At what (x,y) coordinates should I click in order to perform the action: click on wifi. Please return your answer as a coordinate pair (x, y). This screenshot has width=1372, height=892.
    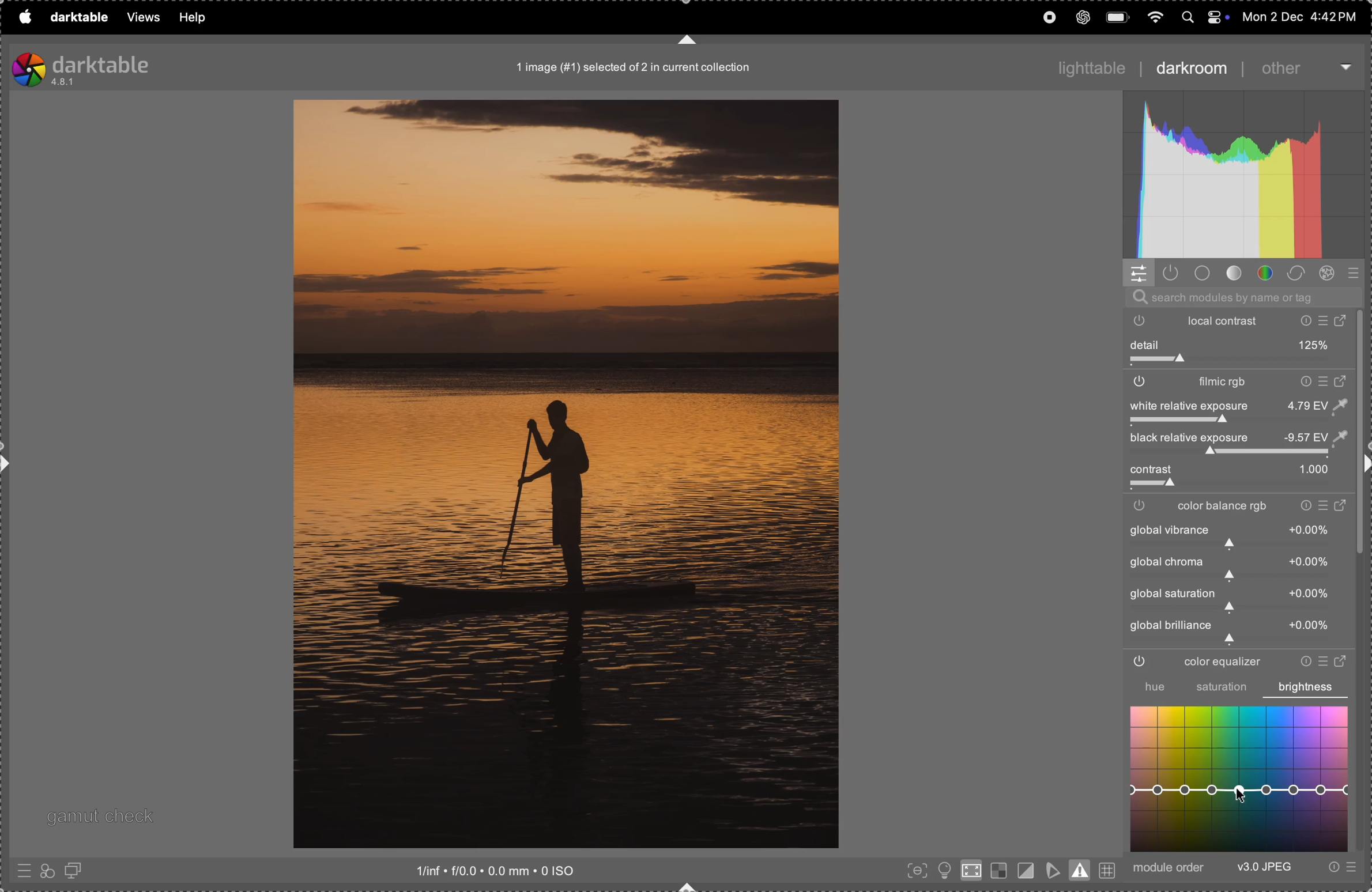
    Looking at the image, I should click on (1153, 16).